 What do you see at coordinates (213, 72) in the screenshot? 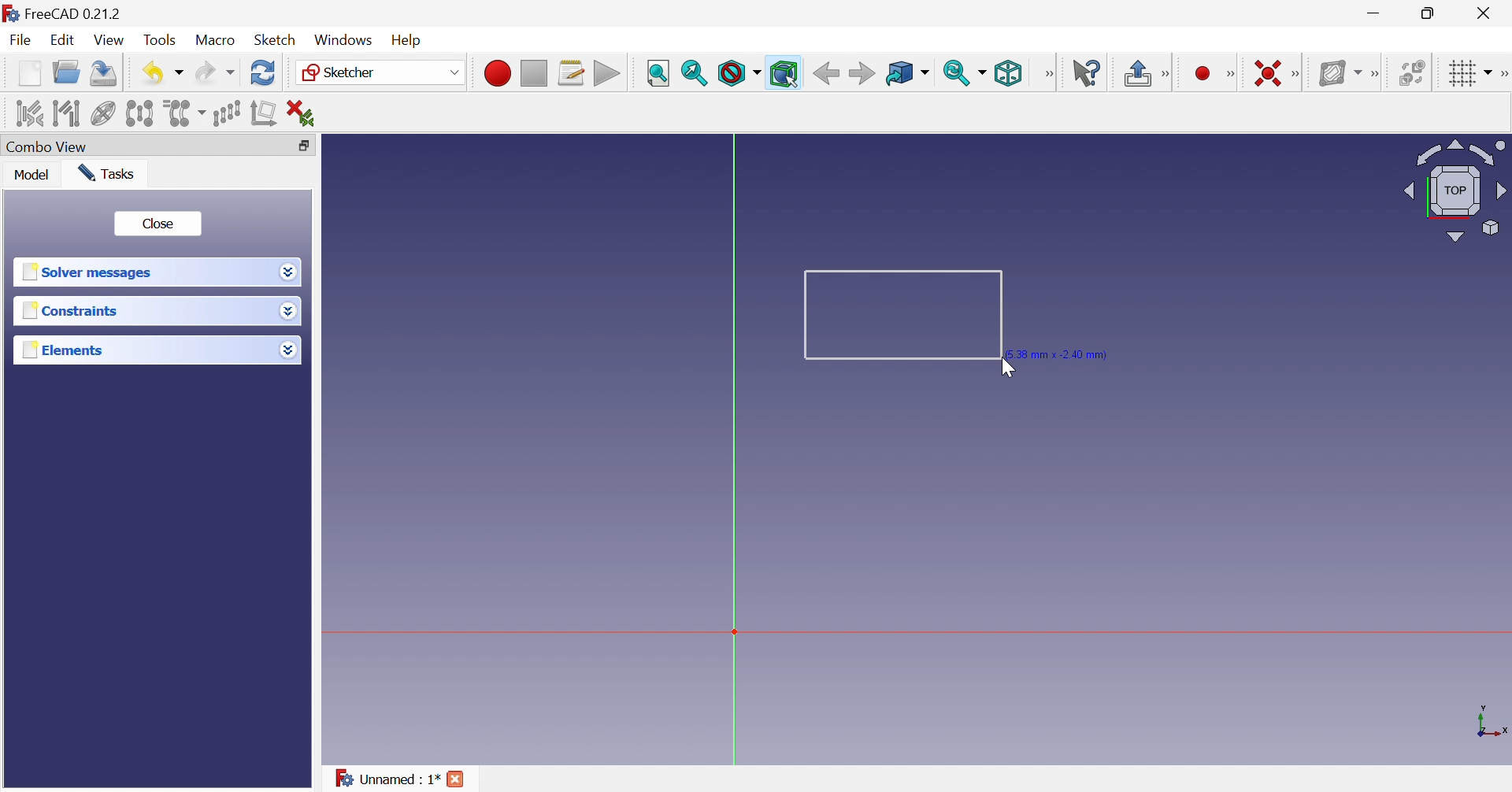
I see `Redo` at bounding box center [213, 72].